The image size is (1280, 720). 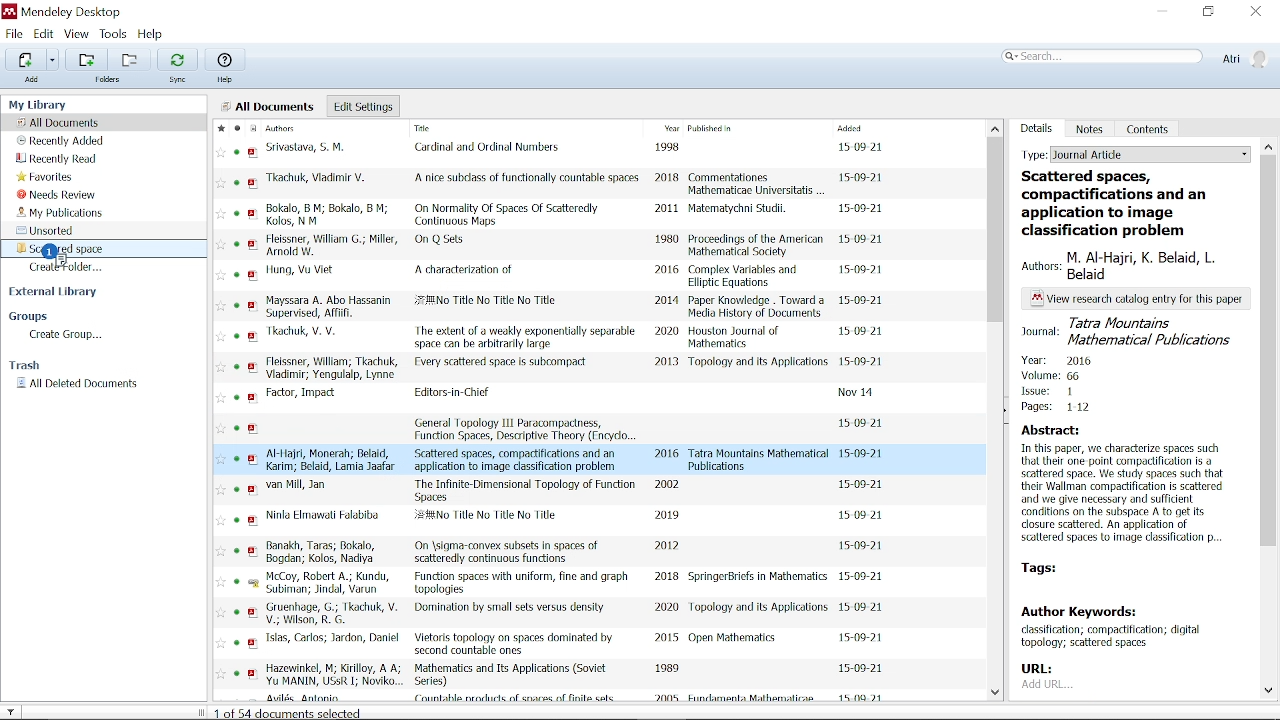 I want to click on 2015, so click(x=666, y=640).